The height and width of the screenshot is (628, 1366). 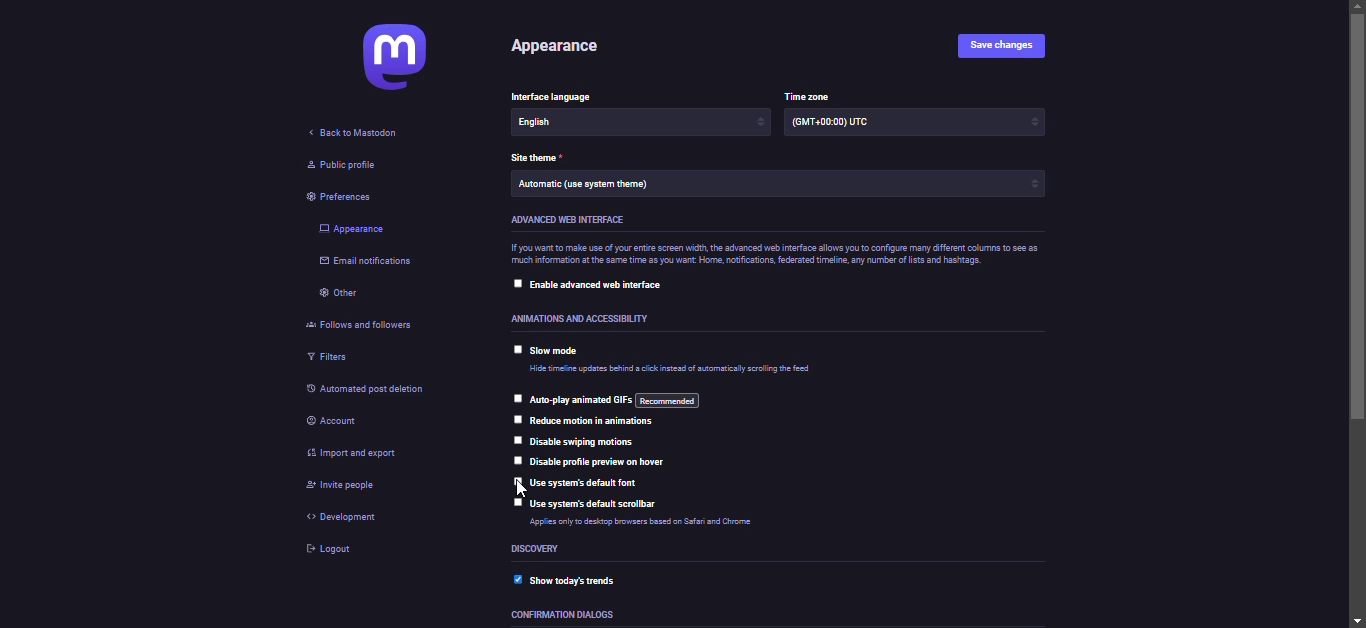 I want to click on click to select, so click(x=516, y=460).